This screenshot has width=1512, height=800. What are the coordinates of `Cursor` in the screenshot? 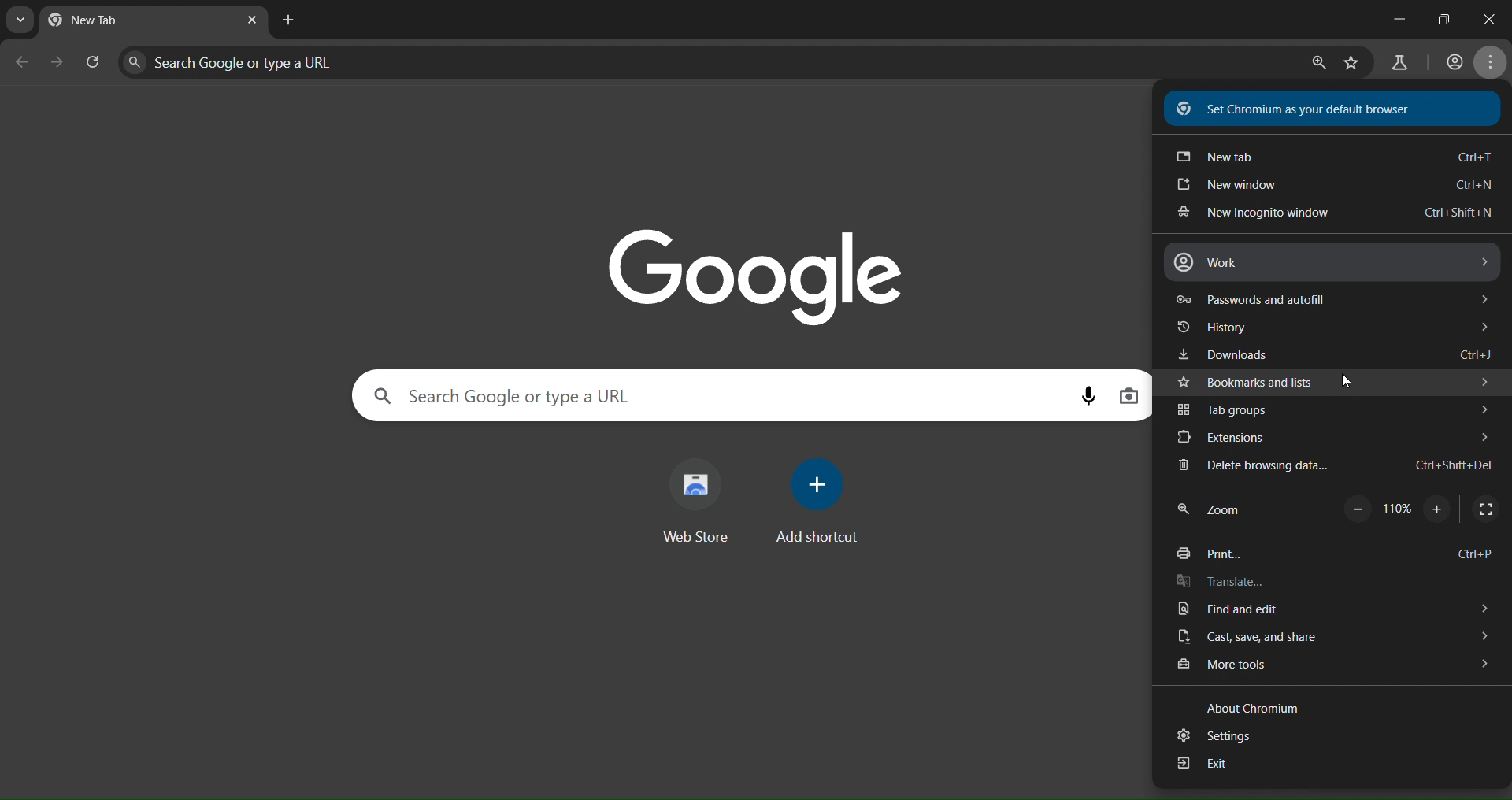 It's located at (1347, 383).